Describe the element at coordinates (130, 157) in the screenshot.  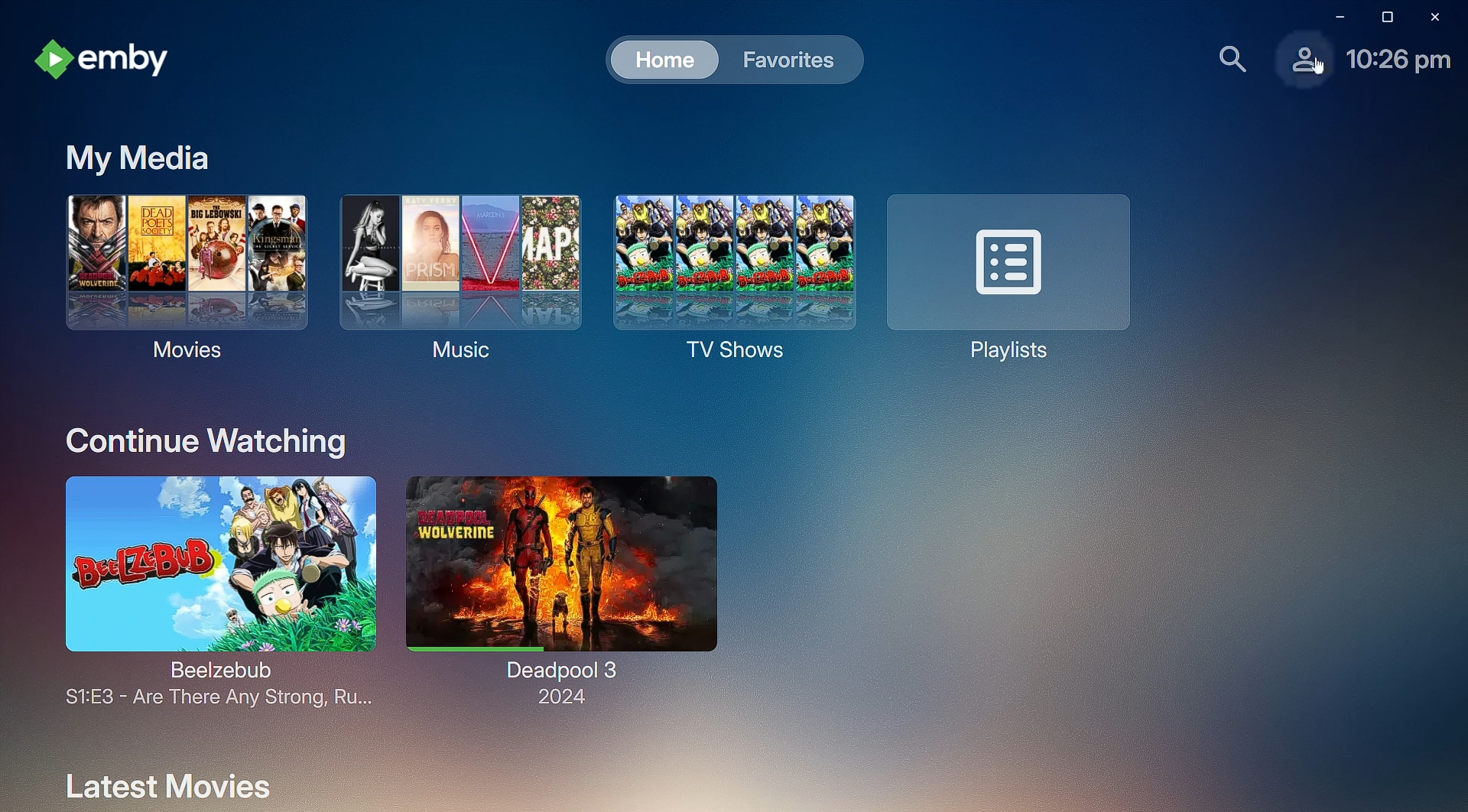
I see `My Media` at that location.